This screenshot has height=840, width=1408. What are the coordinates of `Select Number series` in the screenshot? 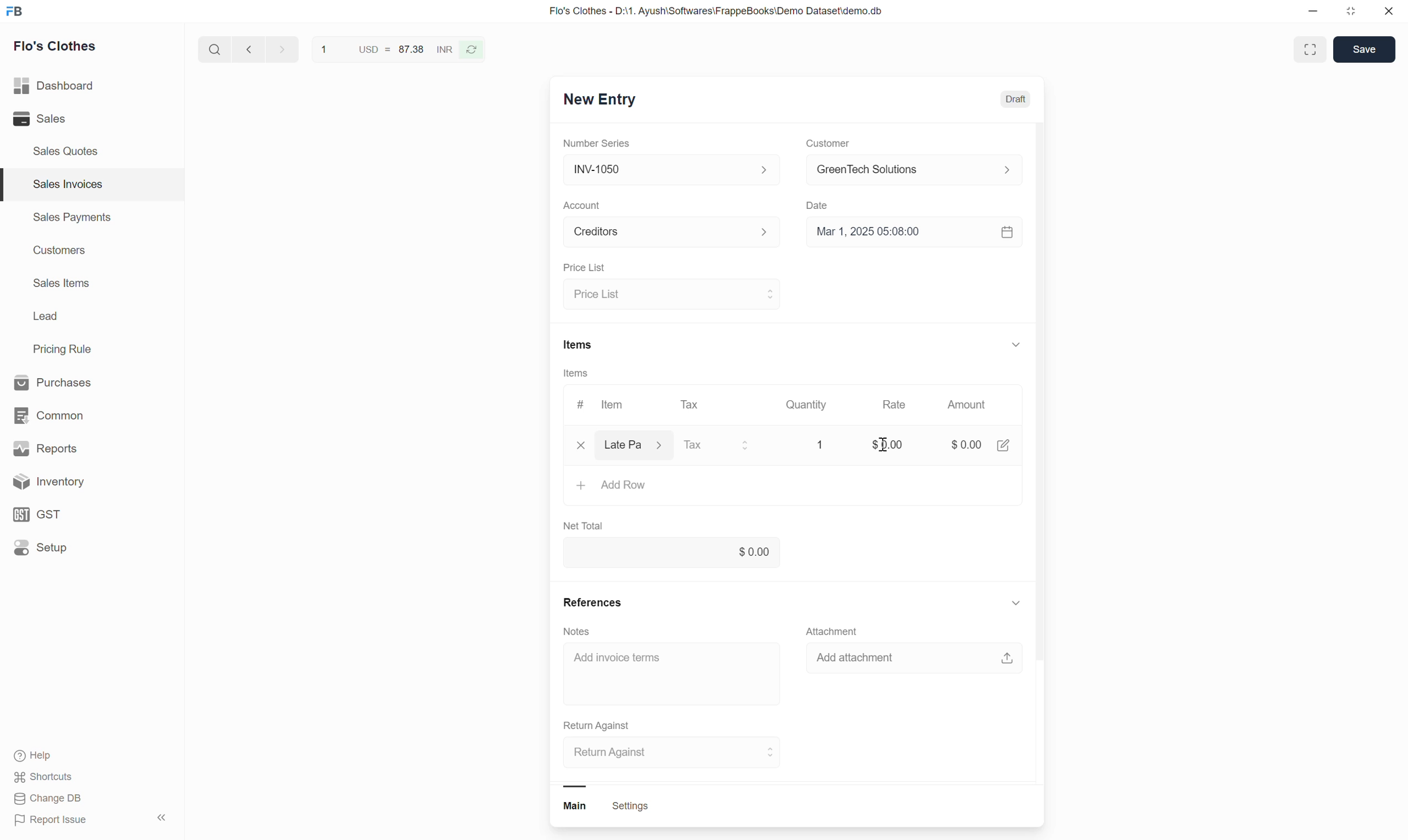 It's located at (669, 169).